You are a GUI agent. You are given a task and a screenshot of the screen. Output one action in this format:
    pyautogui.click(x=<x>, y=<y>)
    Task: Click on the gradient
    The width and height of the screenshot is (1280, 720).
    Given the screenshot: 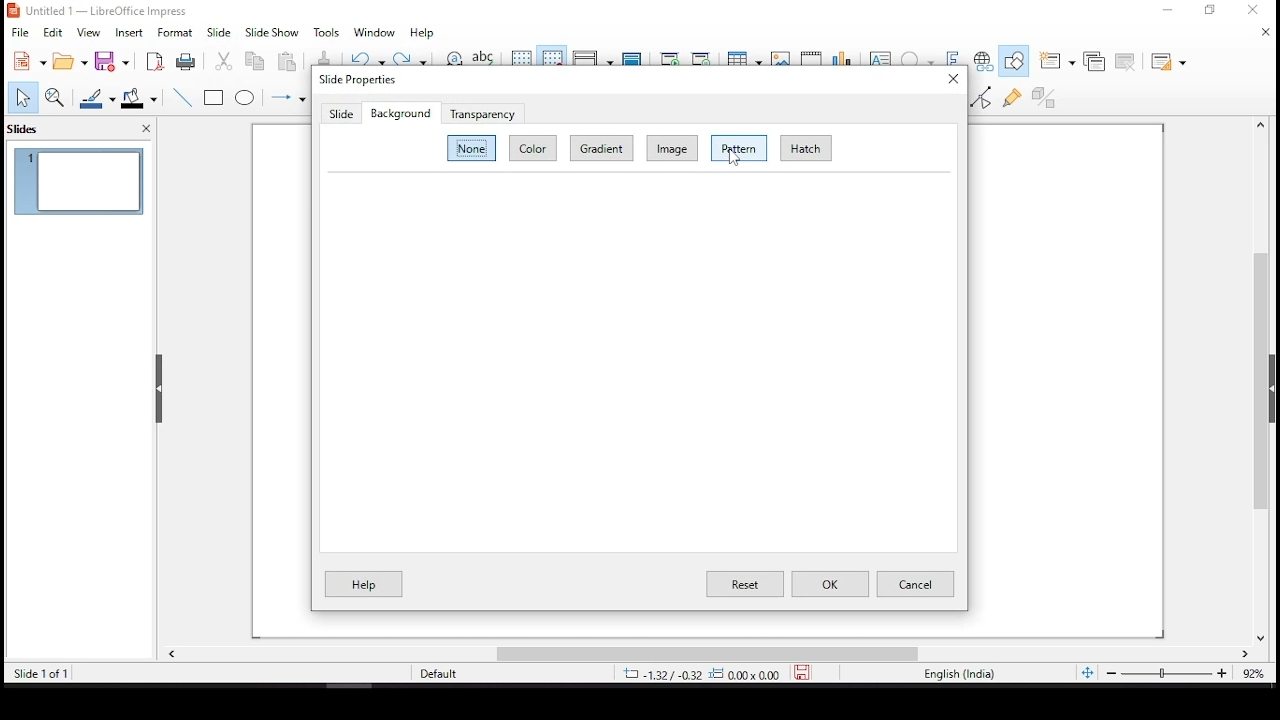 What is the action you would take?
    pyautogui.click(x=603, y=147)
    